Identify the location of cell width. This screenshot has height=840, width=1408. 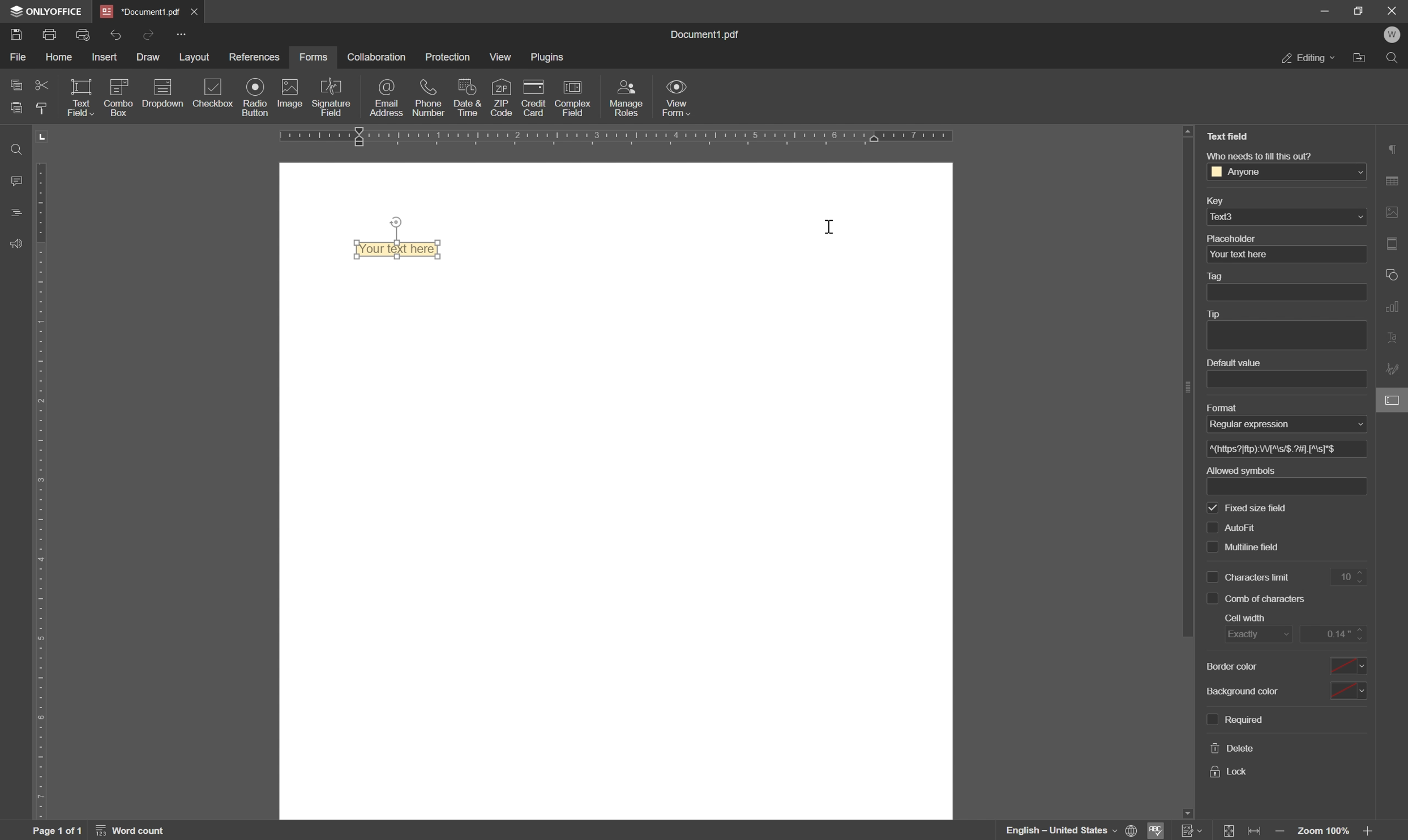
(1248, 618).